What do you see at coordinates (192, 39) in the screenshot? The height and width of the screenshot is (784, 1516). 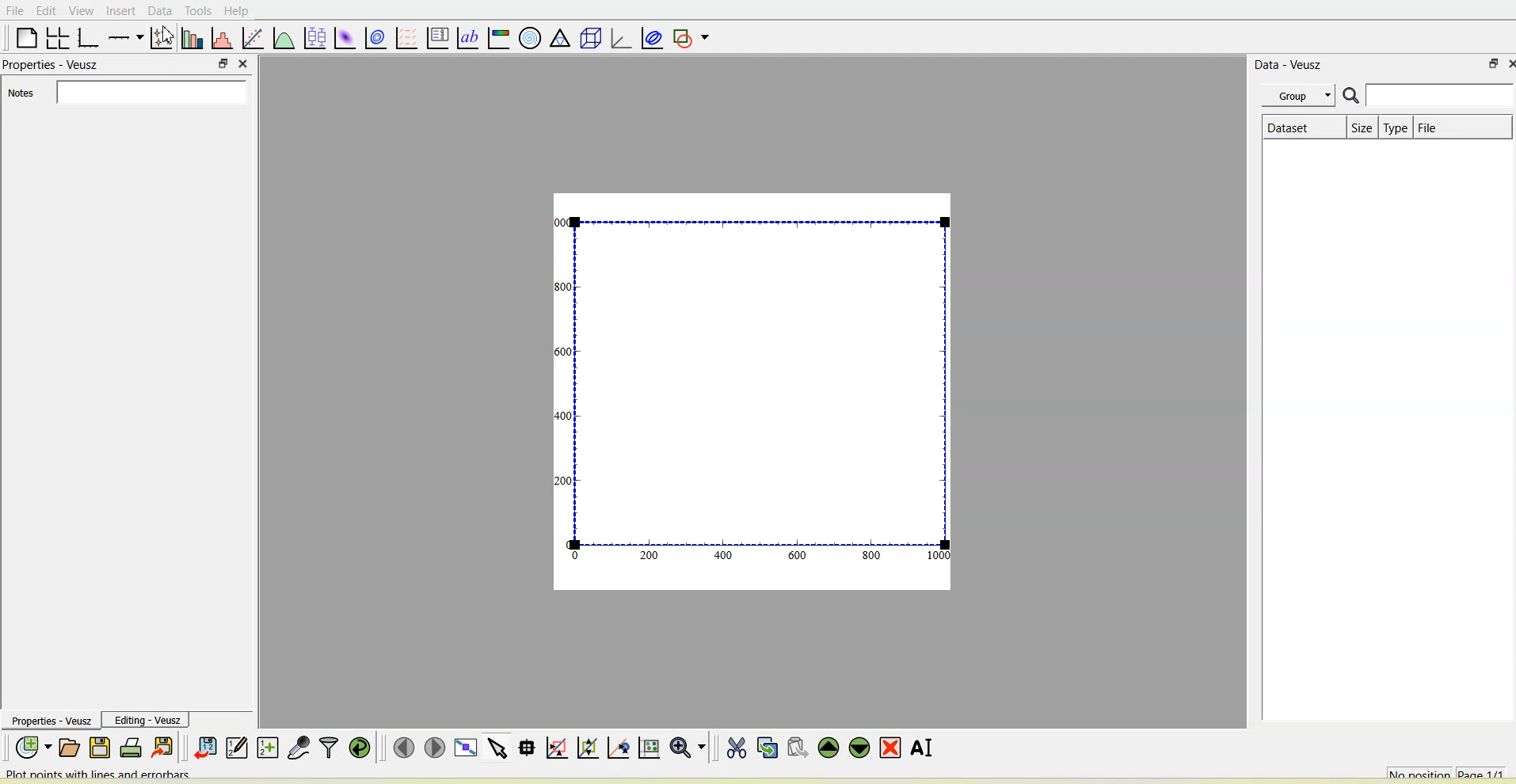 I see `Plot bar charts` at bounding box center [192, 39].